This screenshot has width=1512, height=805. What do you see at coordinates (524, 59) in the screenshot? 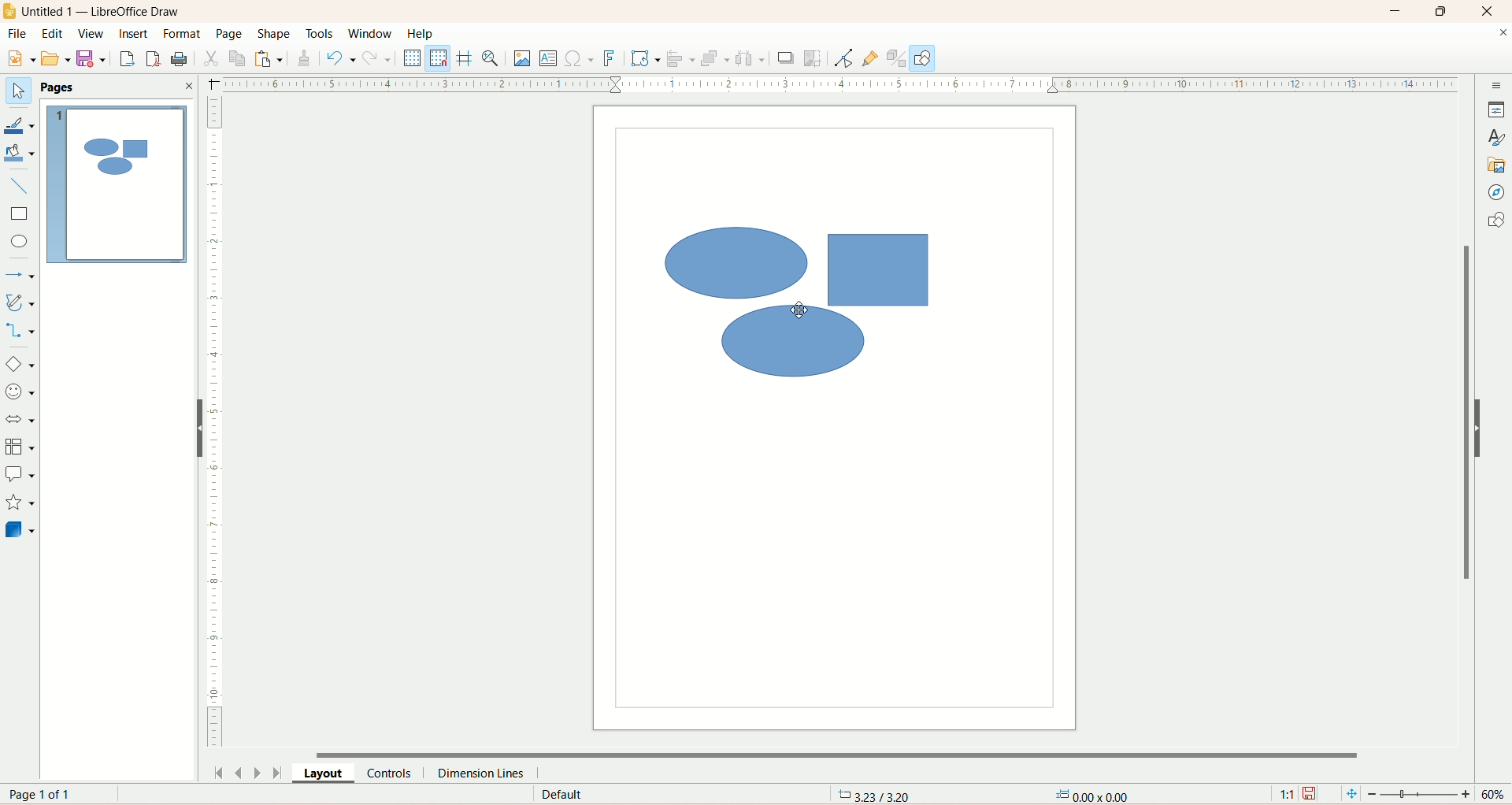
I see `insert image` at bounding box center [524, 59].